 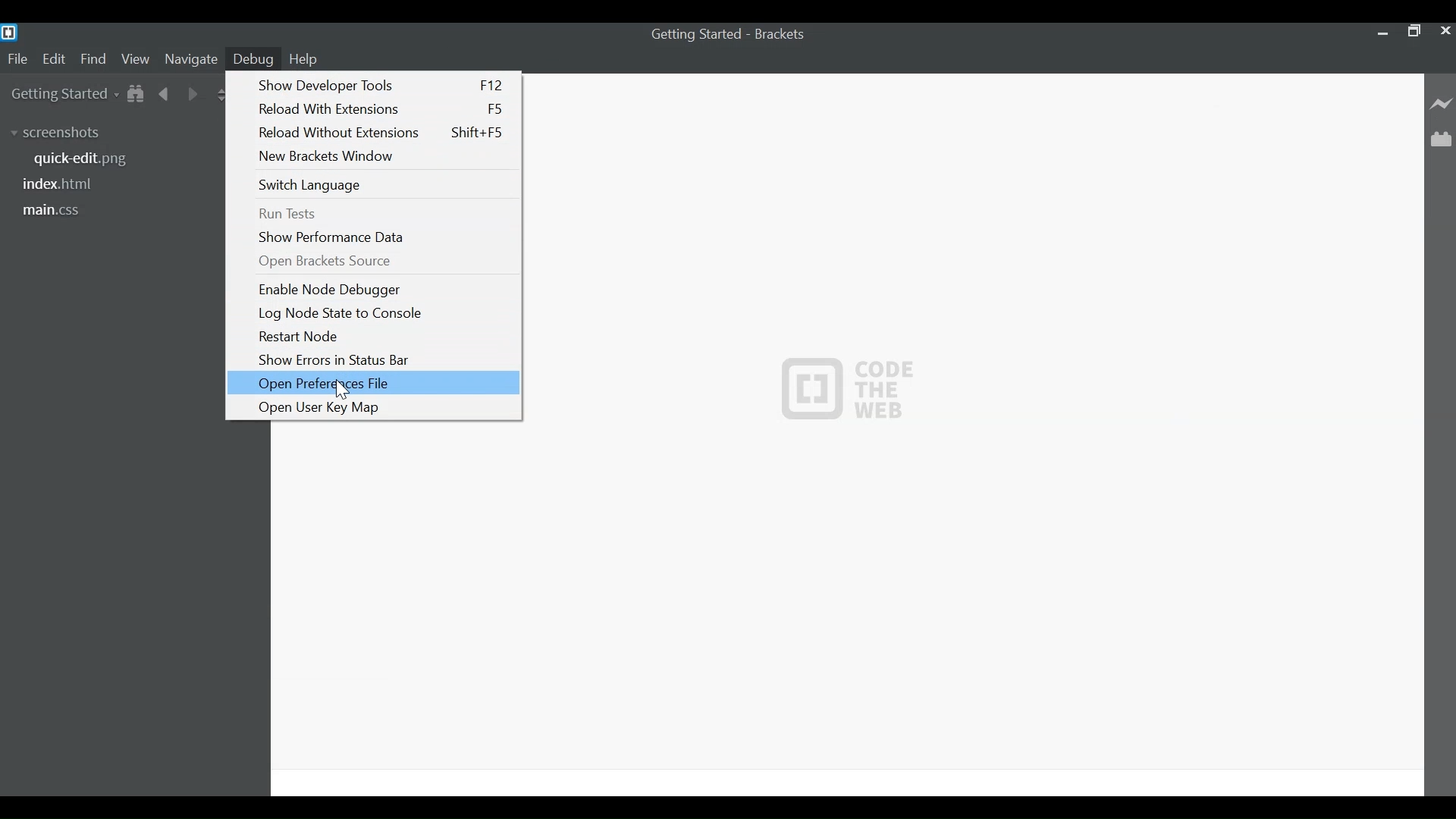 What do you see at coordinates (1442, 105) in the screenshot?
I see `Live Preview` at bounding box center [1442, 105].